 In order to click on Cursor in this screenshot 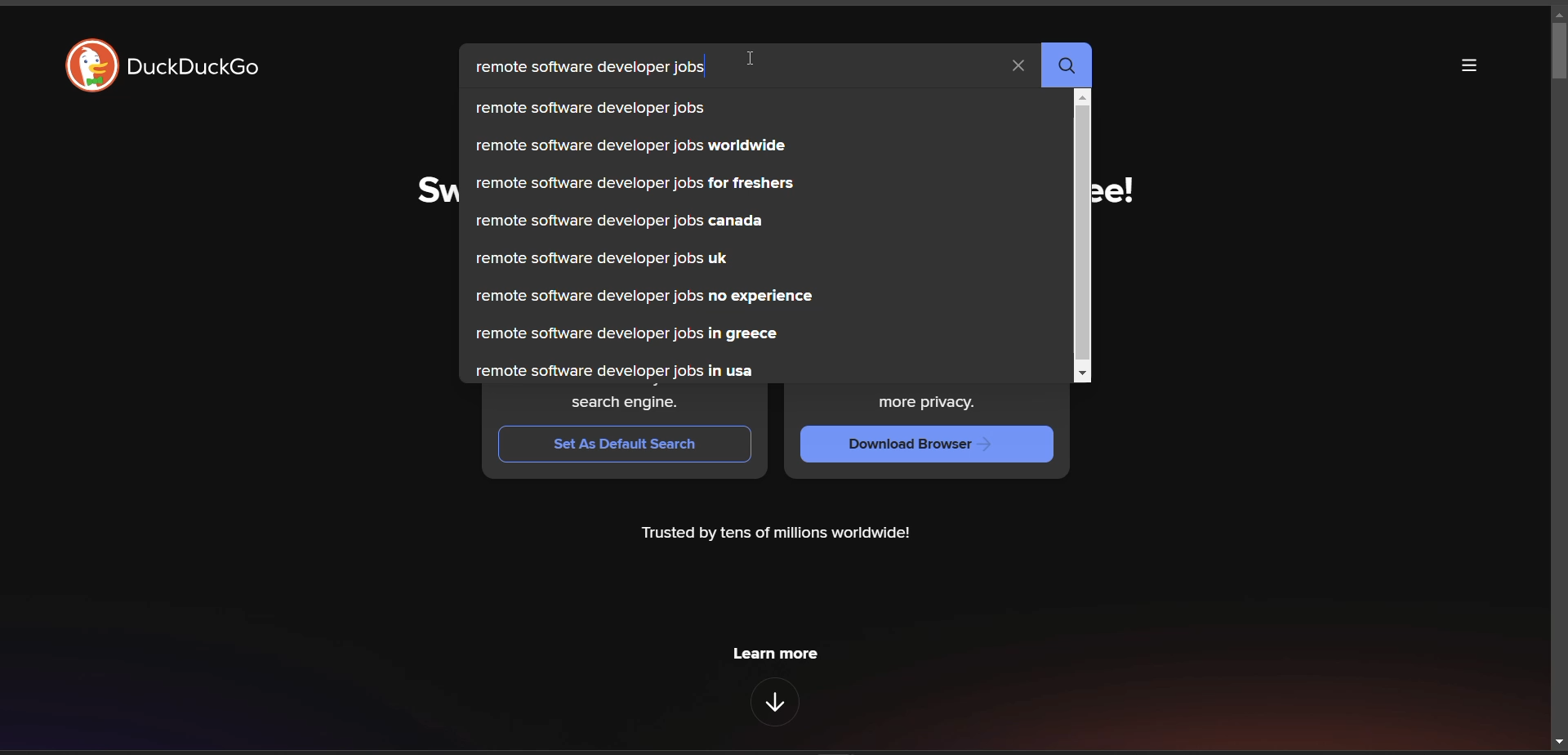, I will do `click(750, 60)`.